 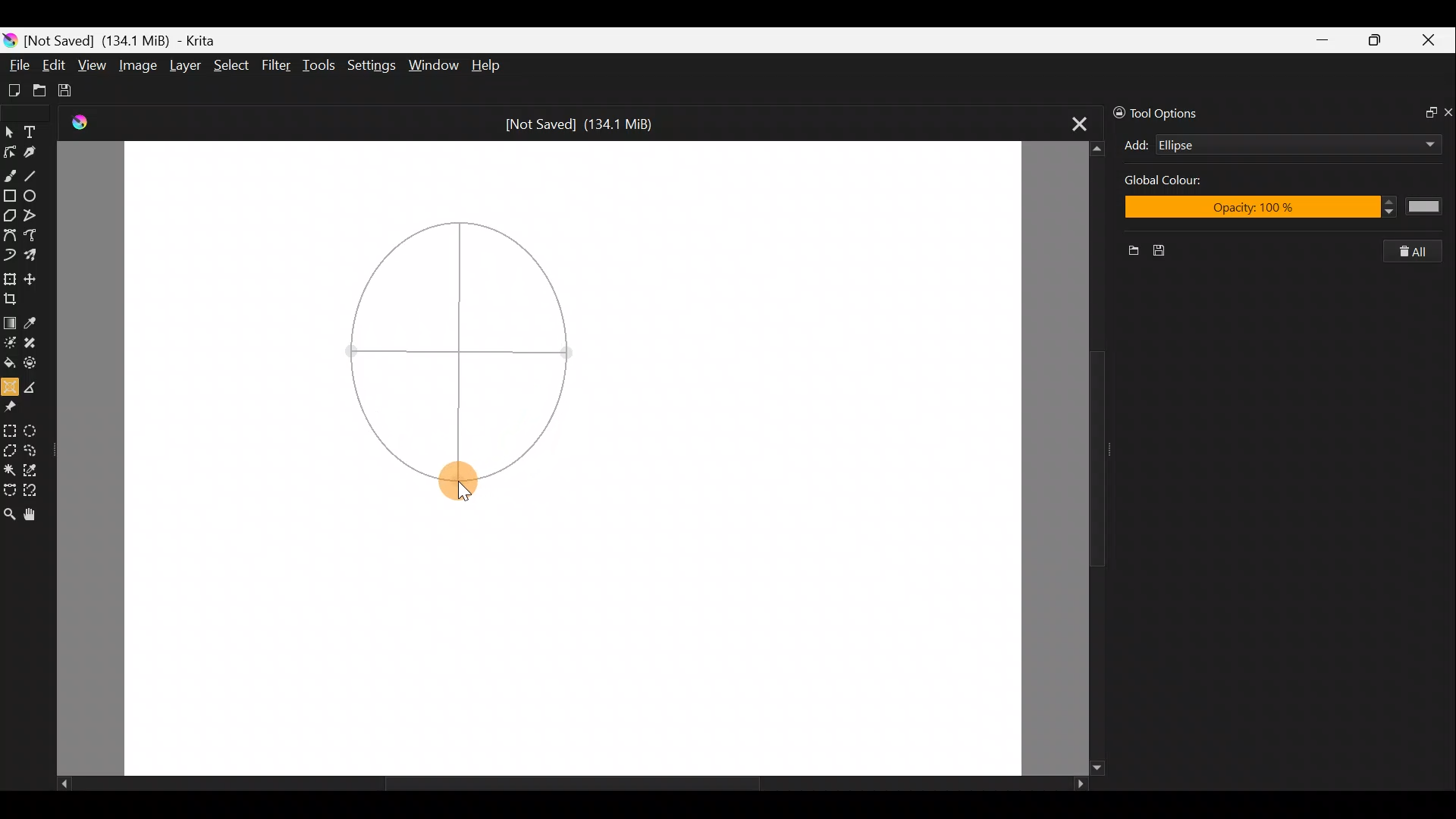 I want to click on View, so click(x=93, y=66).